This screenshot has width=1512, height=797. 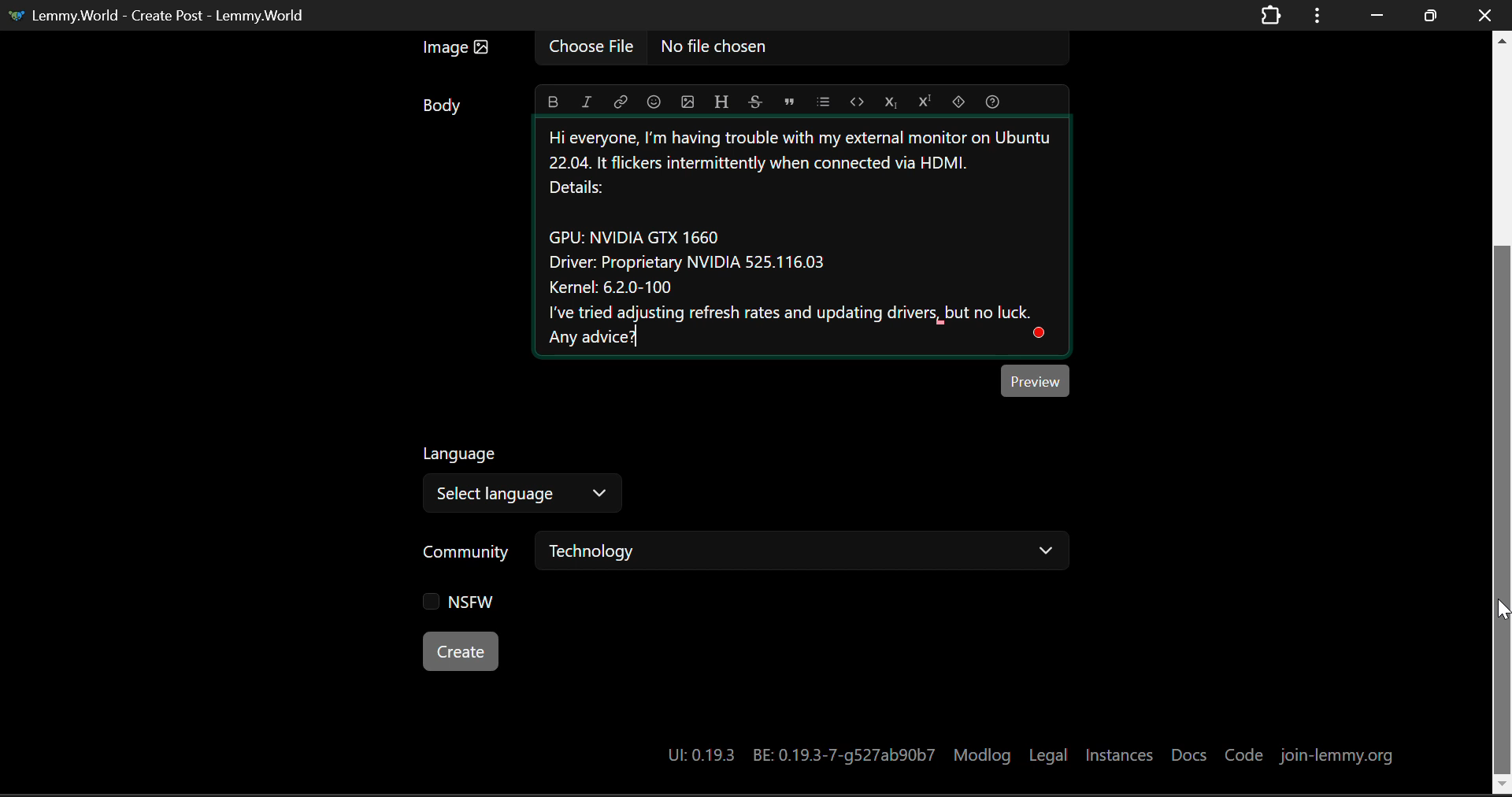 What do you see at coordinates (1048, 754) in the screenshot?
I see `Legal` at bounding box center [1048, 754].